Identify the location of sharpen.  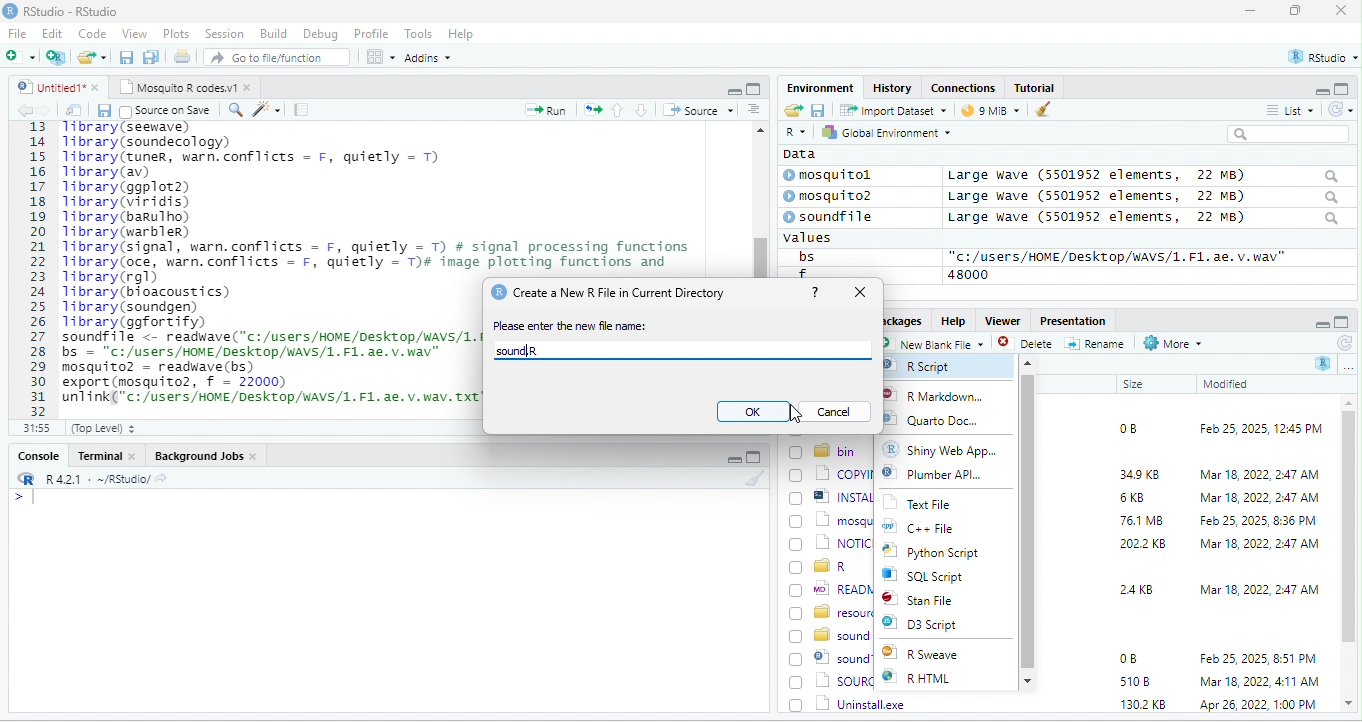
(267, 109).